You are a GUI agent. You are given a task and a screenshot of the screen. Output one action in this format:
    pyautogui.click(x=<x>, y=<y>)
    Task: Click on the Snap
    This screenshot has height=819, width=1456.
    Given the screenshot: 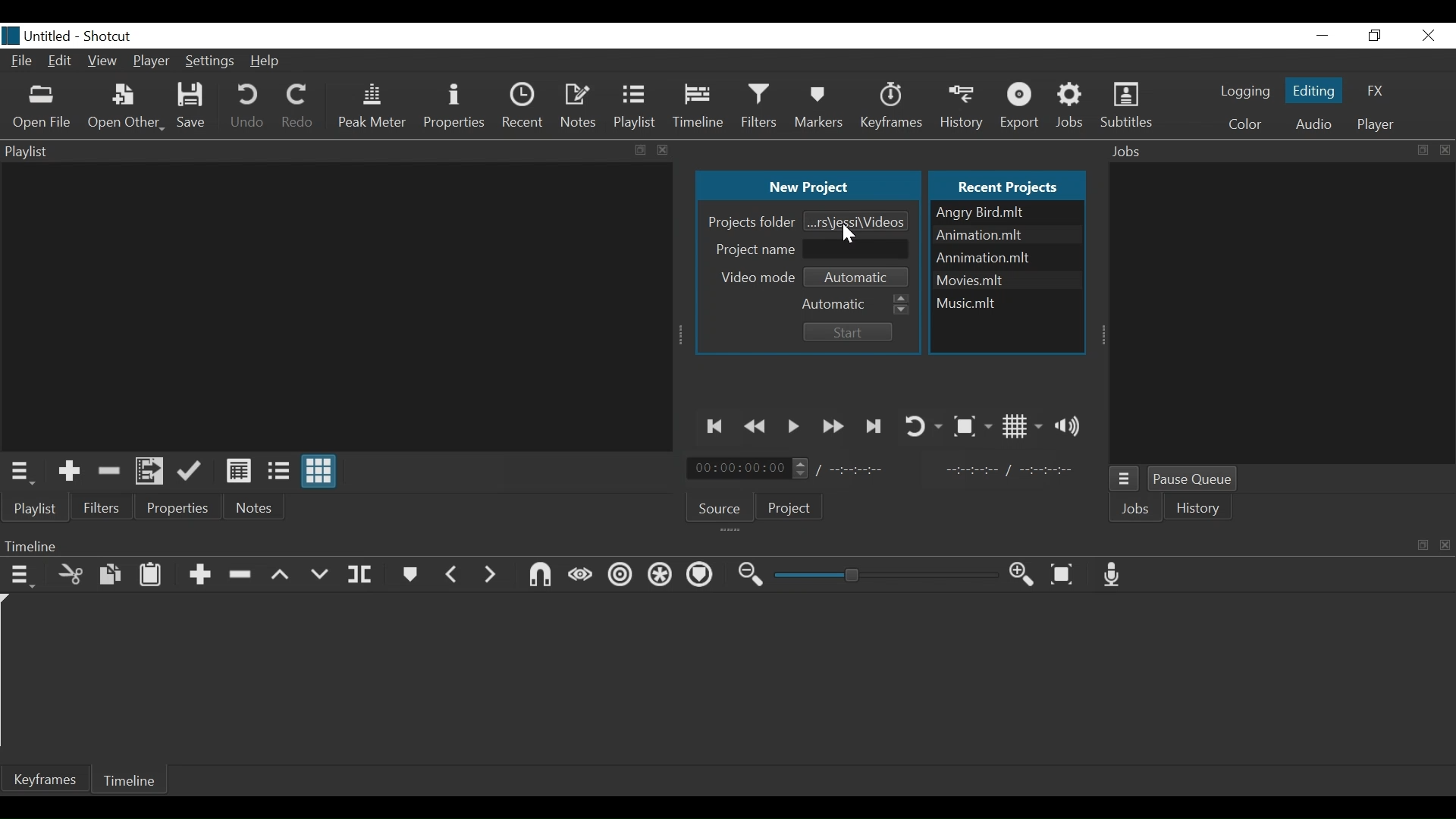 What is the action you would take?
    pyautogui.click(x=539, y=575)
    